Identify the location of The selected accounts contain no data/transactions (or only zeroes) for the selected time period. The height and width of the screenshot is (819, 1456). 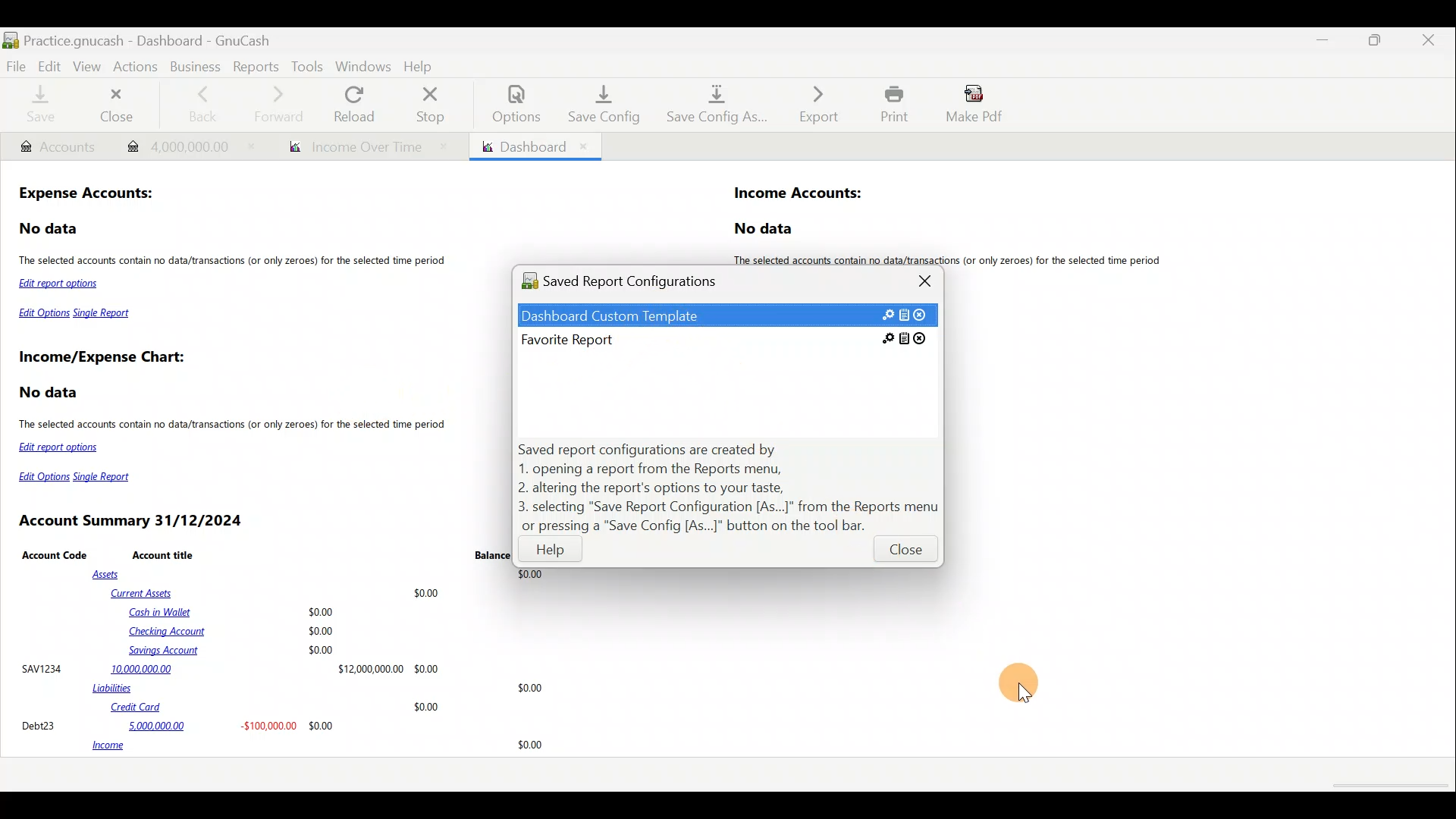
(954, 259).